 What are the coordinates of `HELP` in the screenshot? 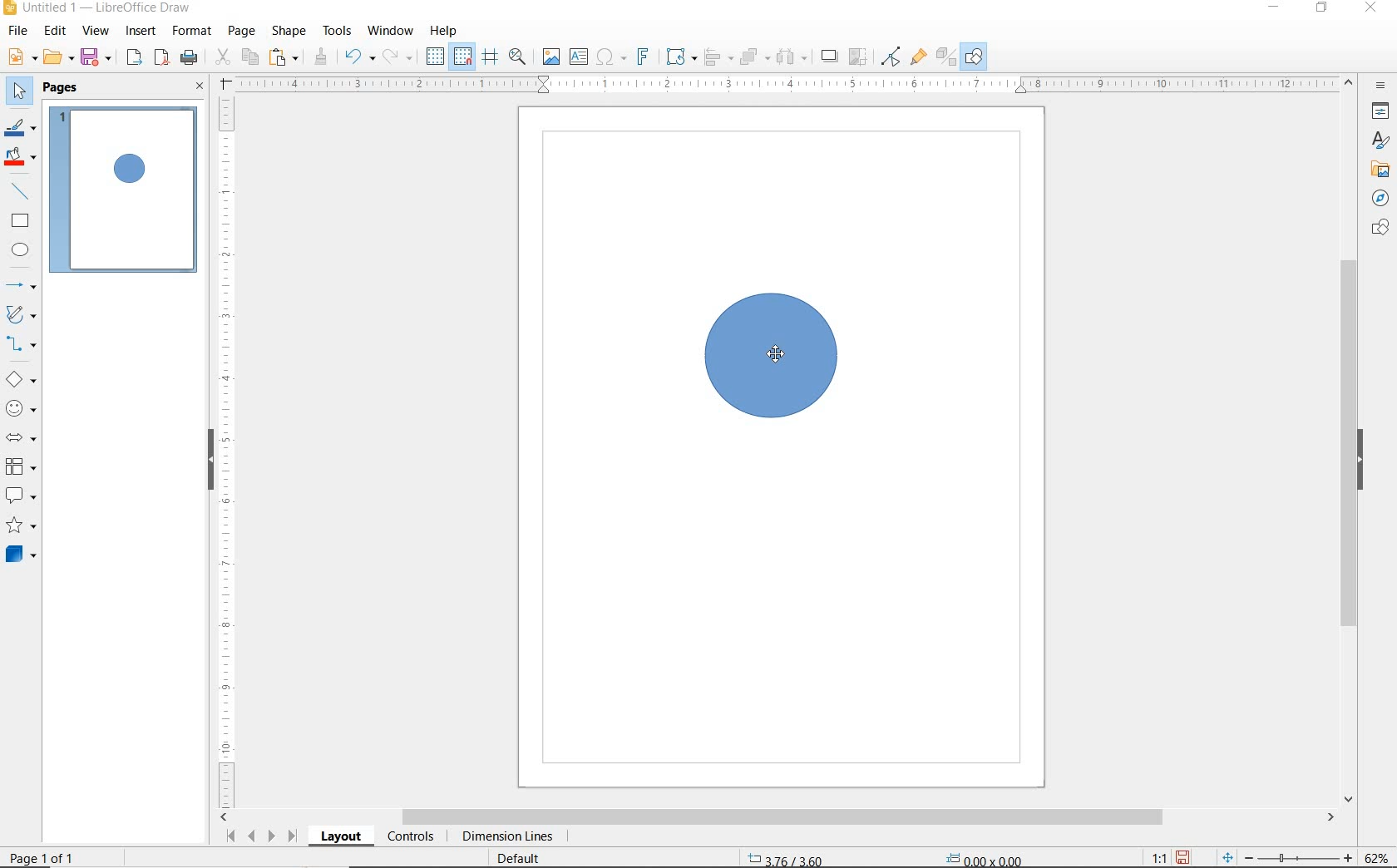 It's located at (444, 32).